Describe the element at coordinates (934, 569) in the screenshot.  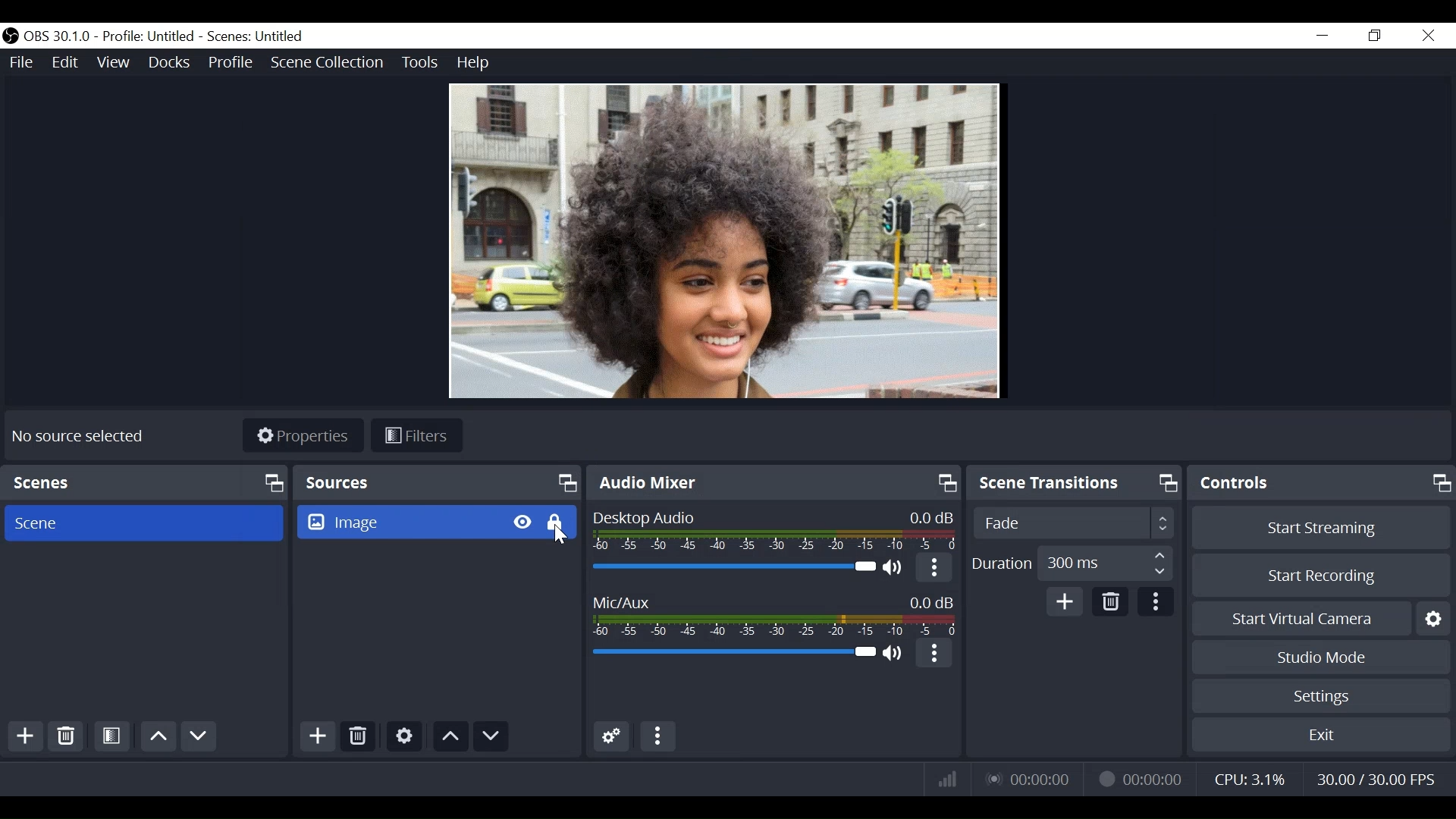
I see `more options` at that location.